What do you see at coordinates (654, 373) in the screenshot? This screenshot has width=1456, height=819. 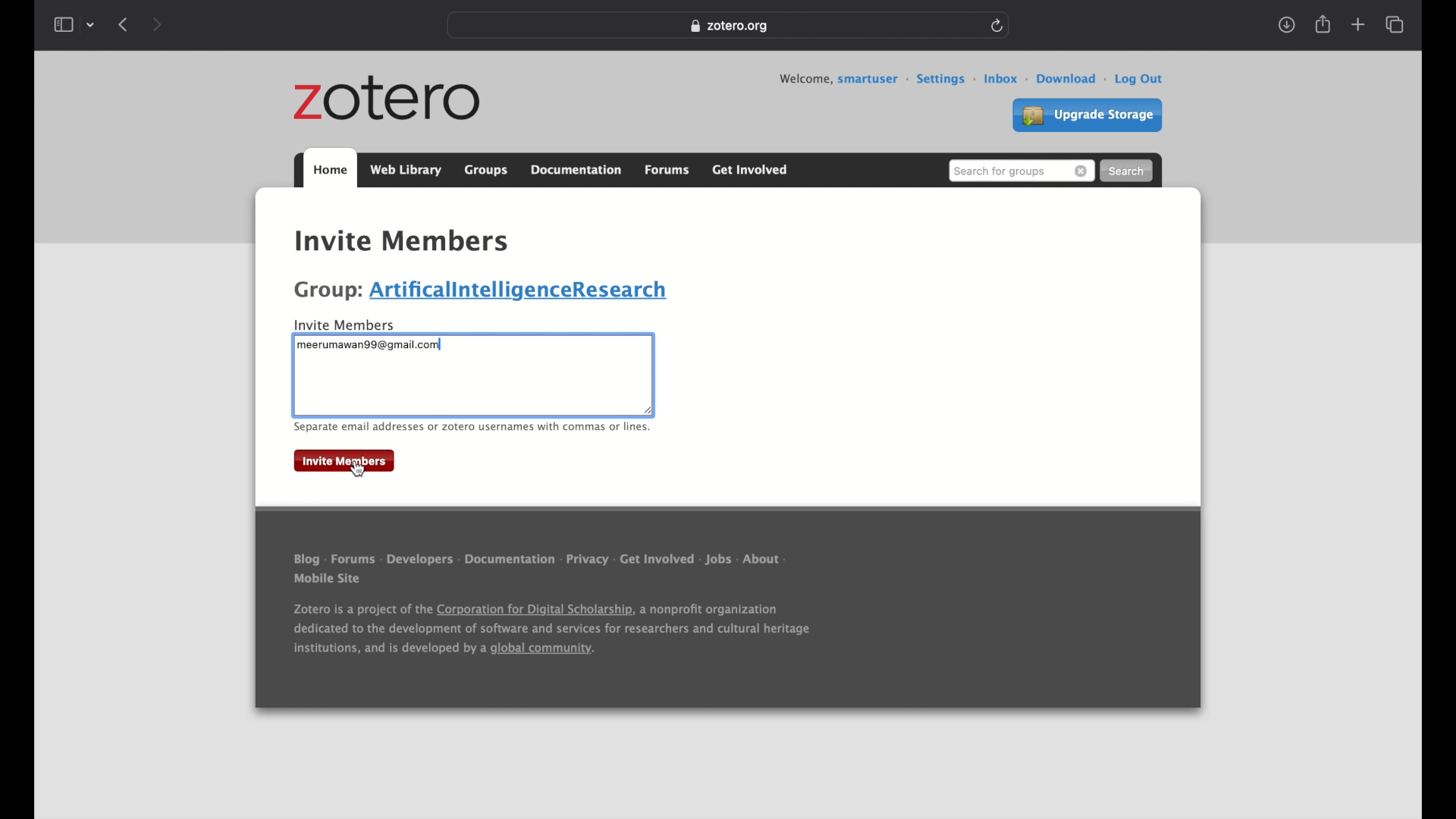 I see `highlighted text boundary` at bounding box center [654, 373].